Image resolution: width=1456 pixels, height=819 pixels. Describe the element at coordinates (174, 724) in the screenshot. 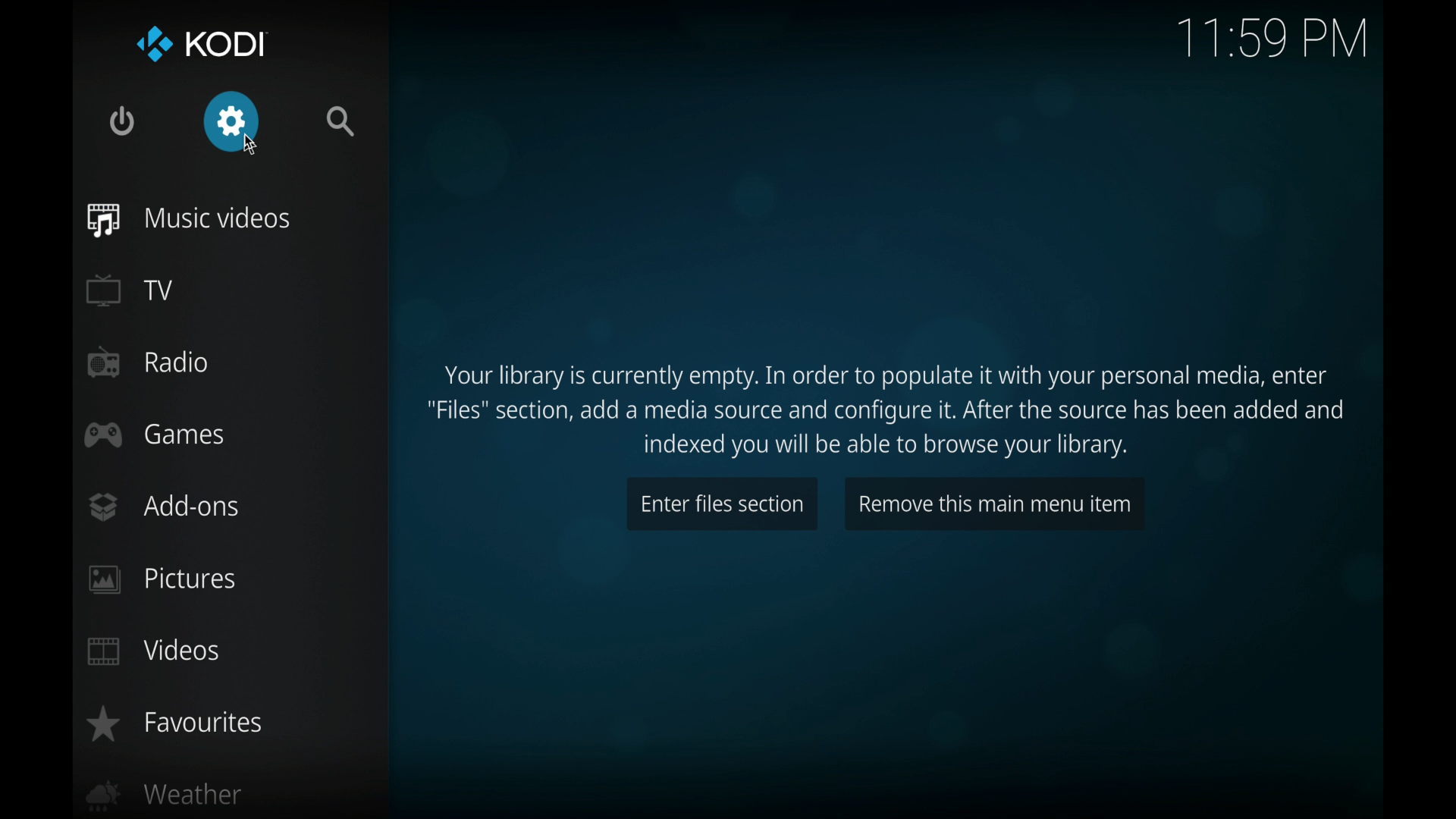

I see `favorites` at that location.